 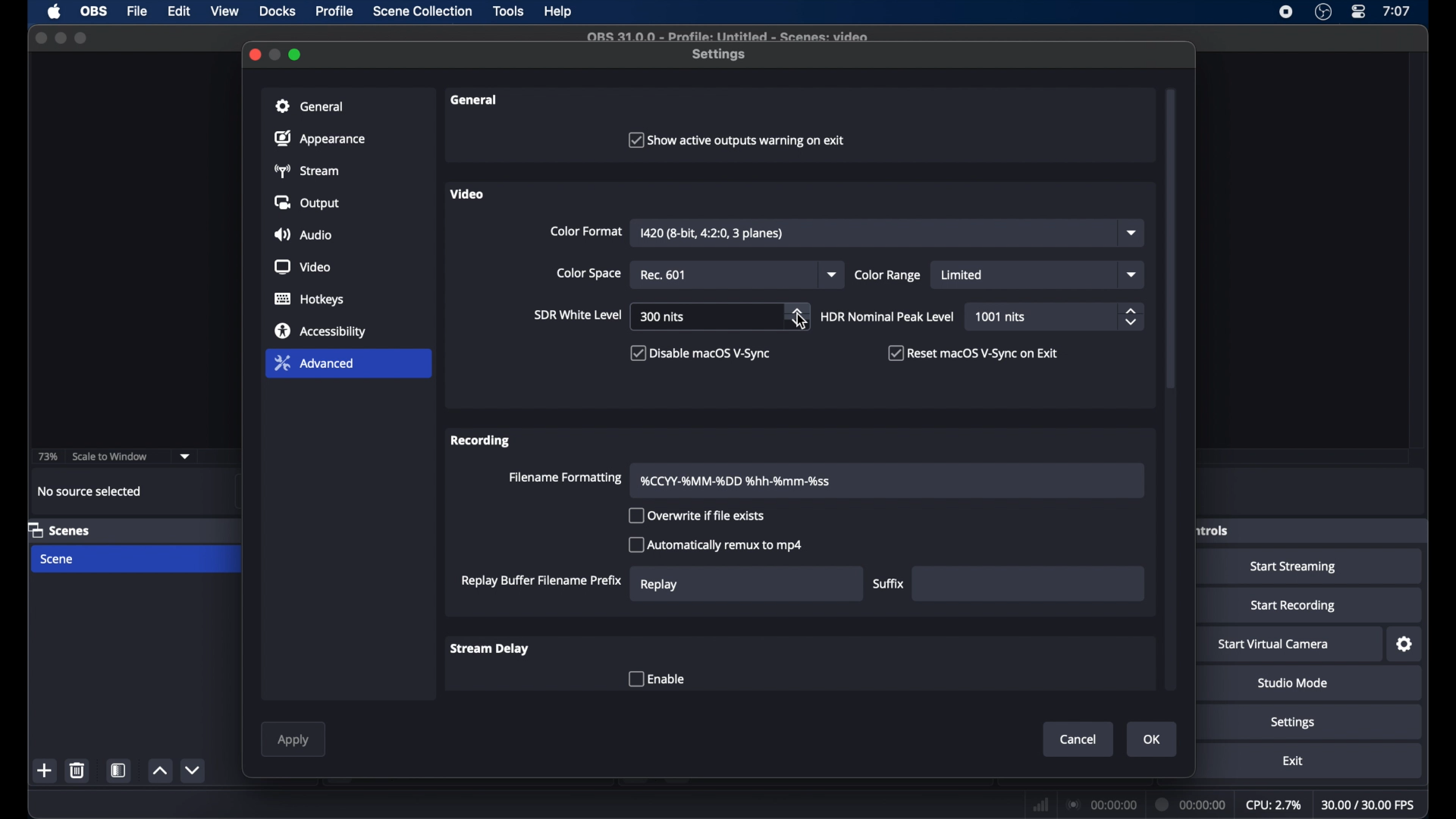 What do you see at coordinates (1293, 723) in the screenshot?
I see `settings` at bounding box center [1293, 723].